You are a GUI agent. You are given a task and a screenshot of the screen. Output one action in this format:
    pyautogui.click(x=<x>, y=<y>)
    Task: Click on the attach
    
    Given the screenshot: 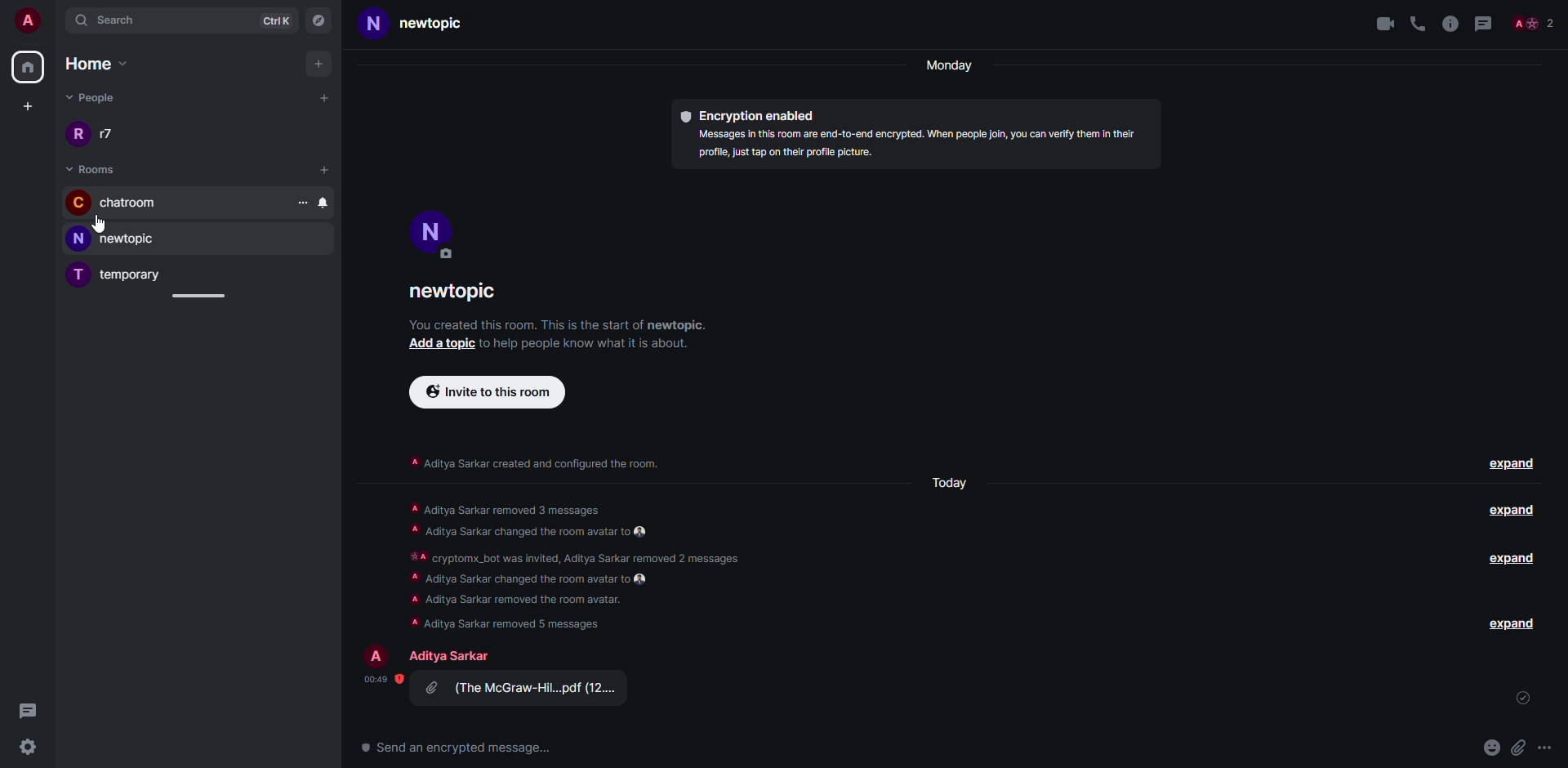 What is the action you would take?
    pyautogui.click(x=1521, y=744)
    